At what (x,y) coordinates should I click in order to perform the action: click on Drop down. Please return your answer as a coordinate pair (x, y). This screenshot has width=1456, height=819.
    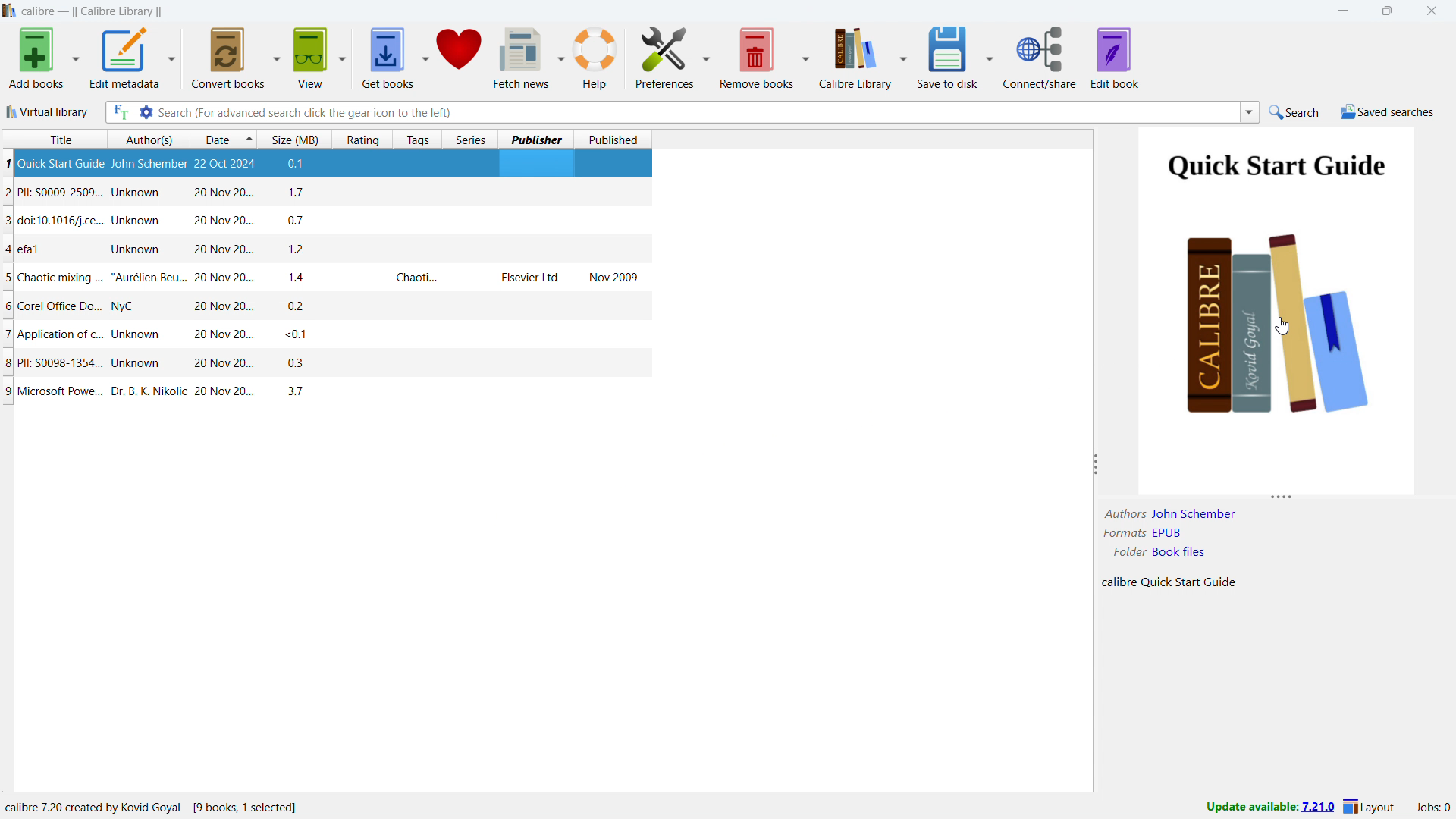
    Looking at the image, I should click on (1250, 112).